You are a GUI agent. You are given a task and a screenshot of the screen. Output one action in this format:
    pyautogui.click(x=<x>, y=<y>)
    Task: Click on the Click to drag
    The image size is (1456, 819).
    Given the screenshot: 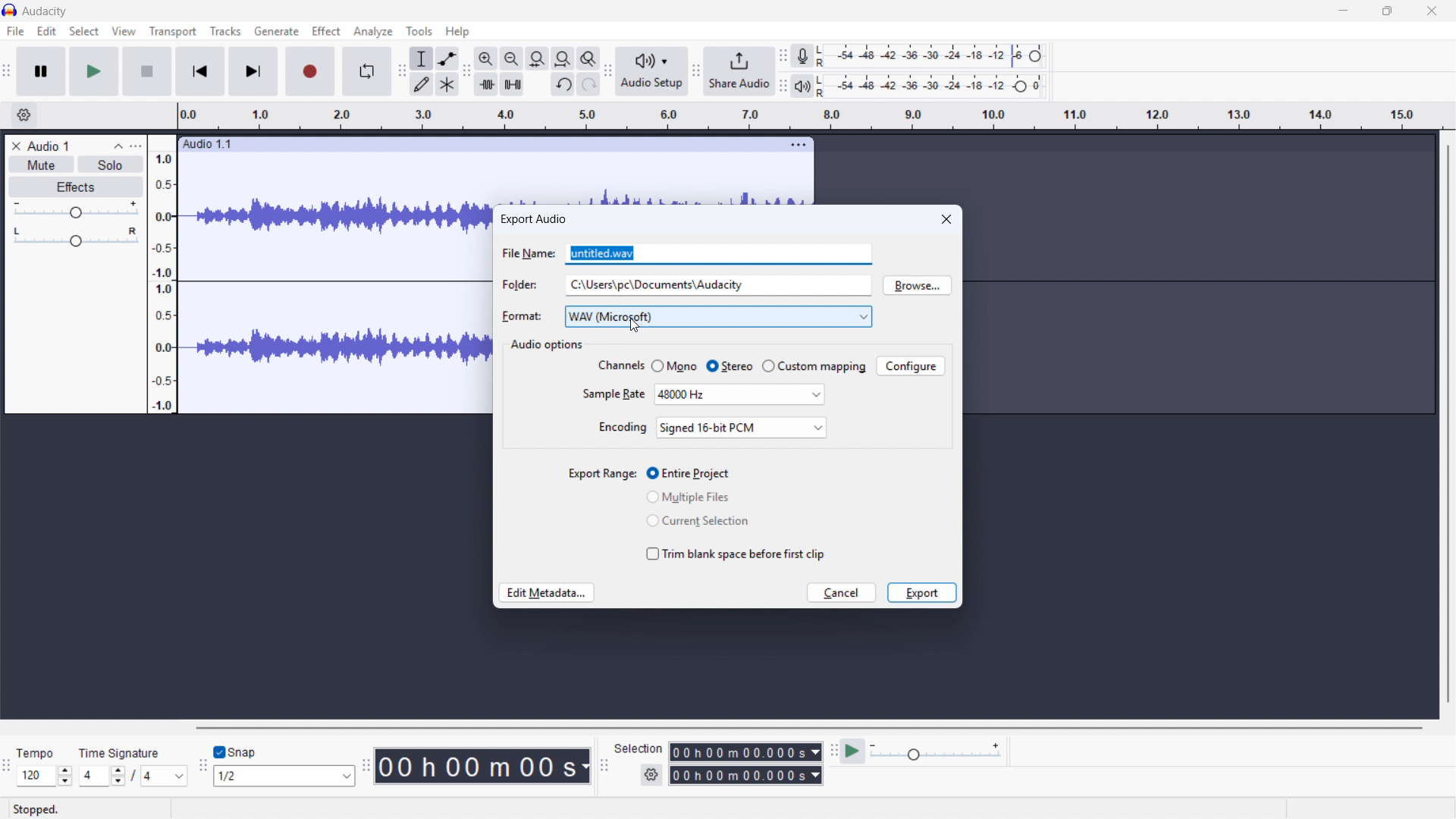 What is the action you would take?
    pyautogui.click(x=470, y=145)
    